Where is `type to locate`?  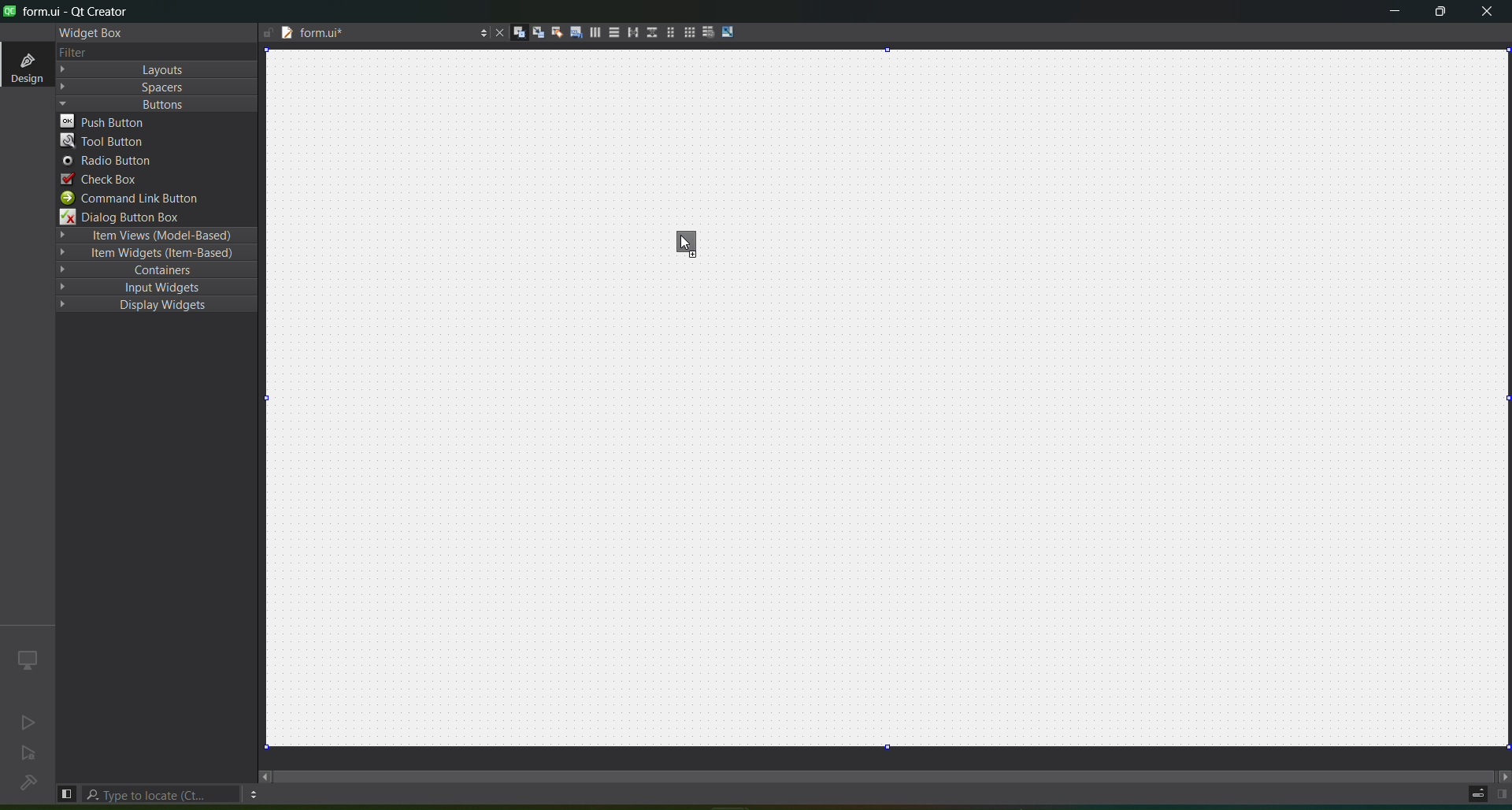
type to locate is located at coordinates (162, 794).